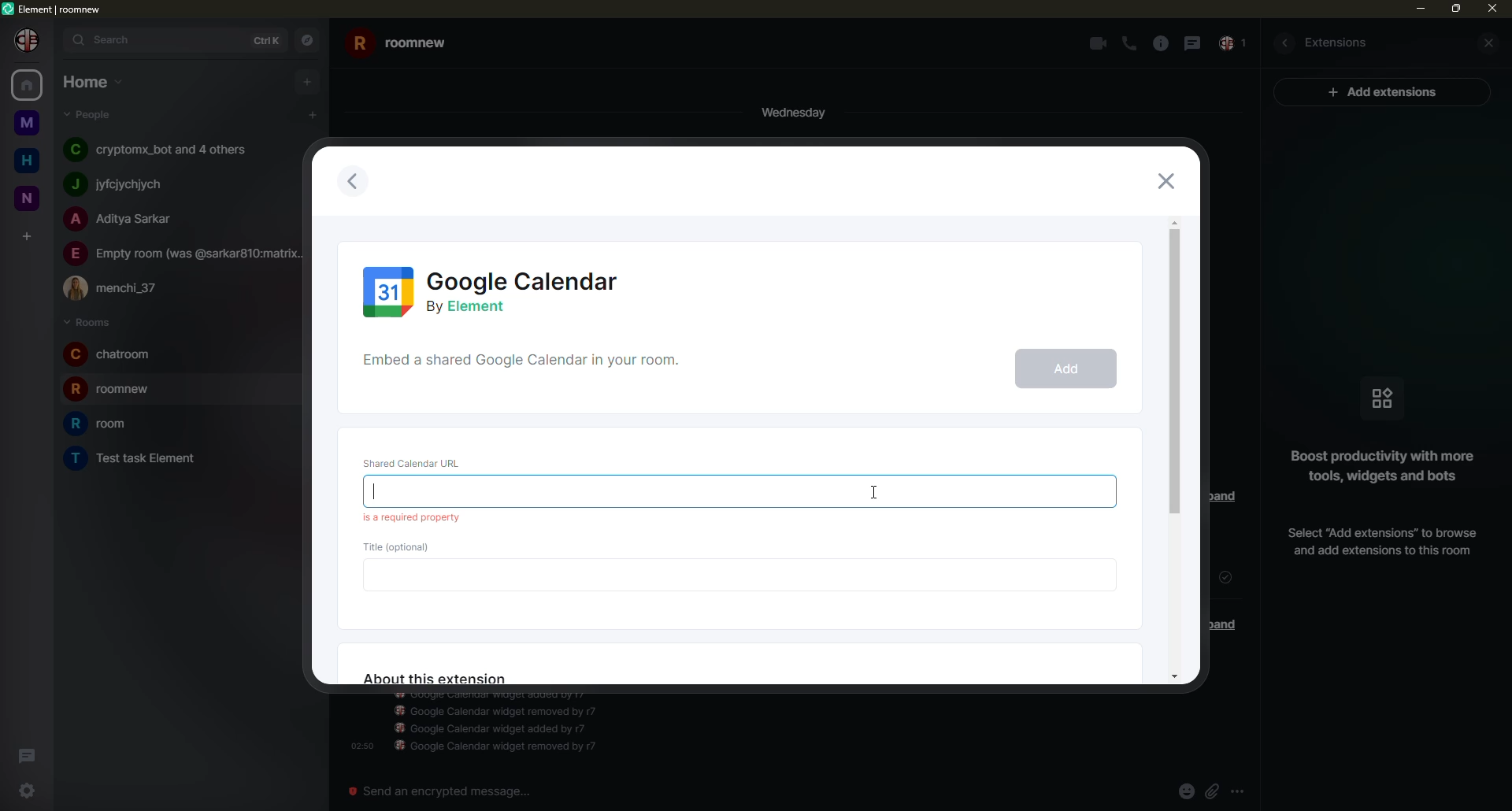 The image size is (1512, 811). Describe the element at coordinates (1379, 398) in the screenshot. I see `icon` at that location.